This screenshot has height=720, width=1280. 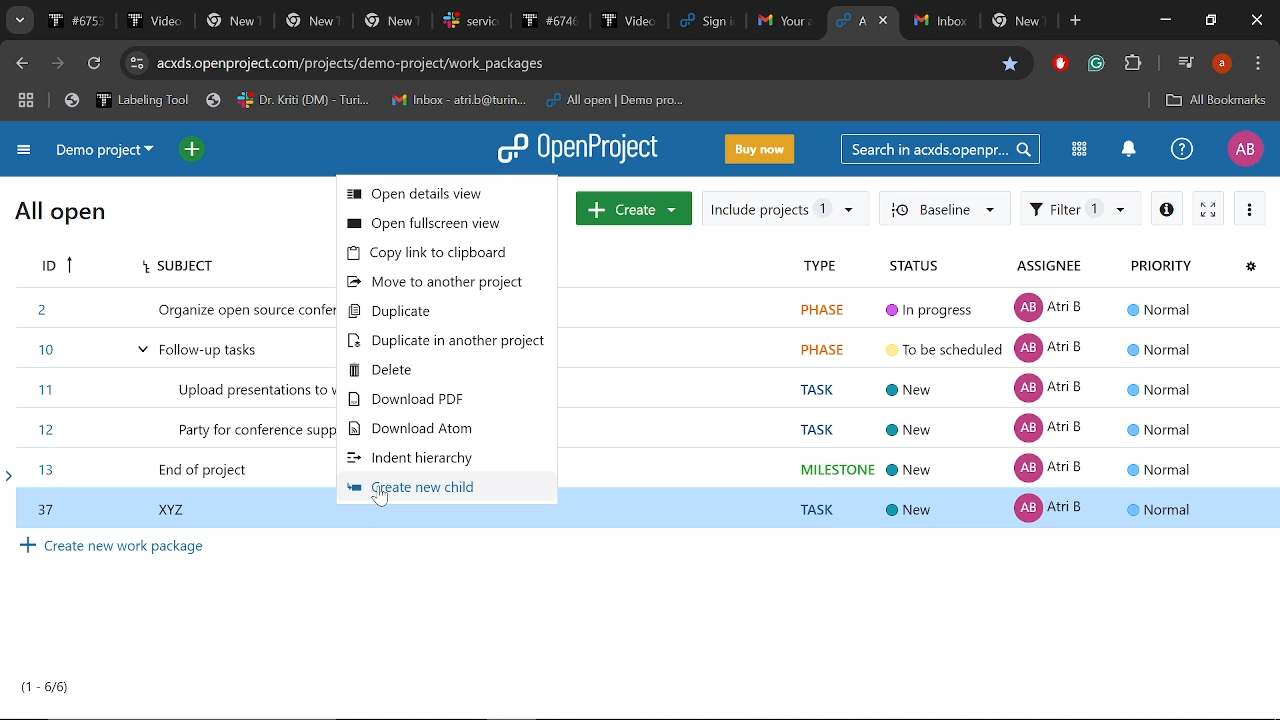 What do you see at coordinates (1182, 148) in the screenshot?
I see `Help` at bounding box center [1182, 148].